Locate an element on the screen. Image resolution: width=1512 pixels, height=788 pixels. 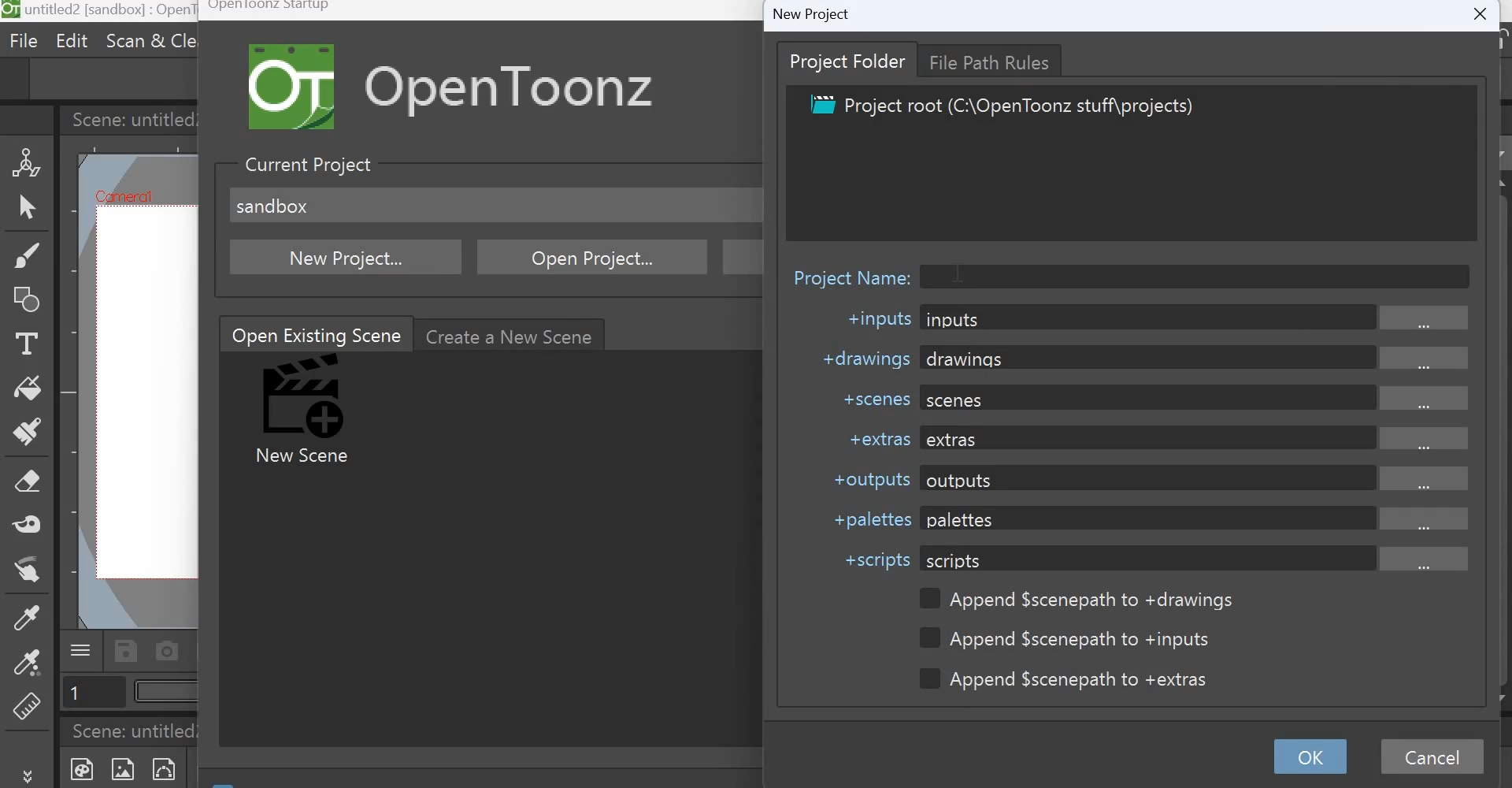
drawings is located at coordinates (1200, 357).